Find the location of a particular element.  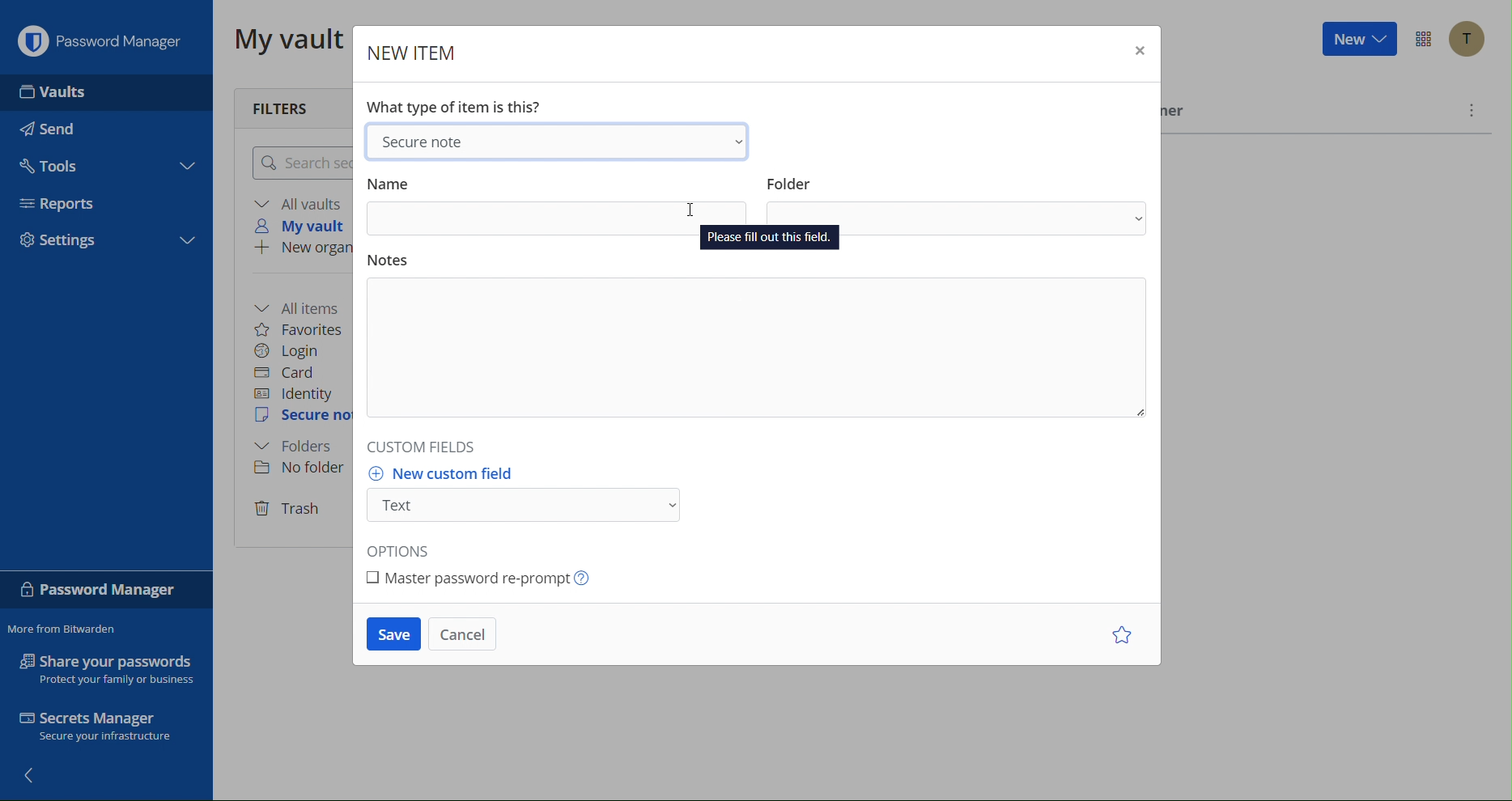

Close is located at coordinates (1137, 51).